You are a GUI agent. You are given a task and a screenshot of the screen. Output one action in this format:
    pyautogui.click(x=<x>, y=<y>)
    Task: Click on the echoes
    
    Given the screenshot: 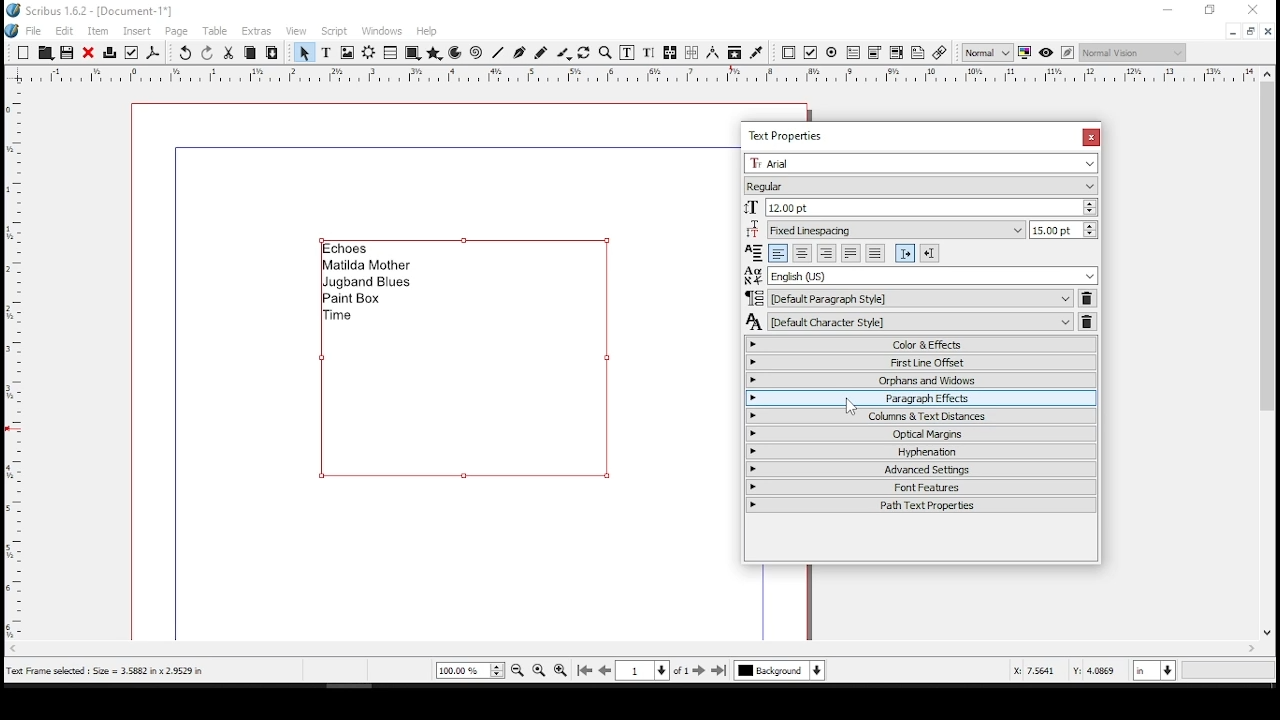 What is the action you would take?
    pyautogui.click(x=349, y=248)
    